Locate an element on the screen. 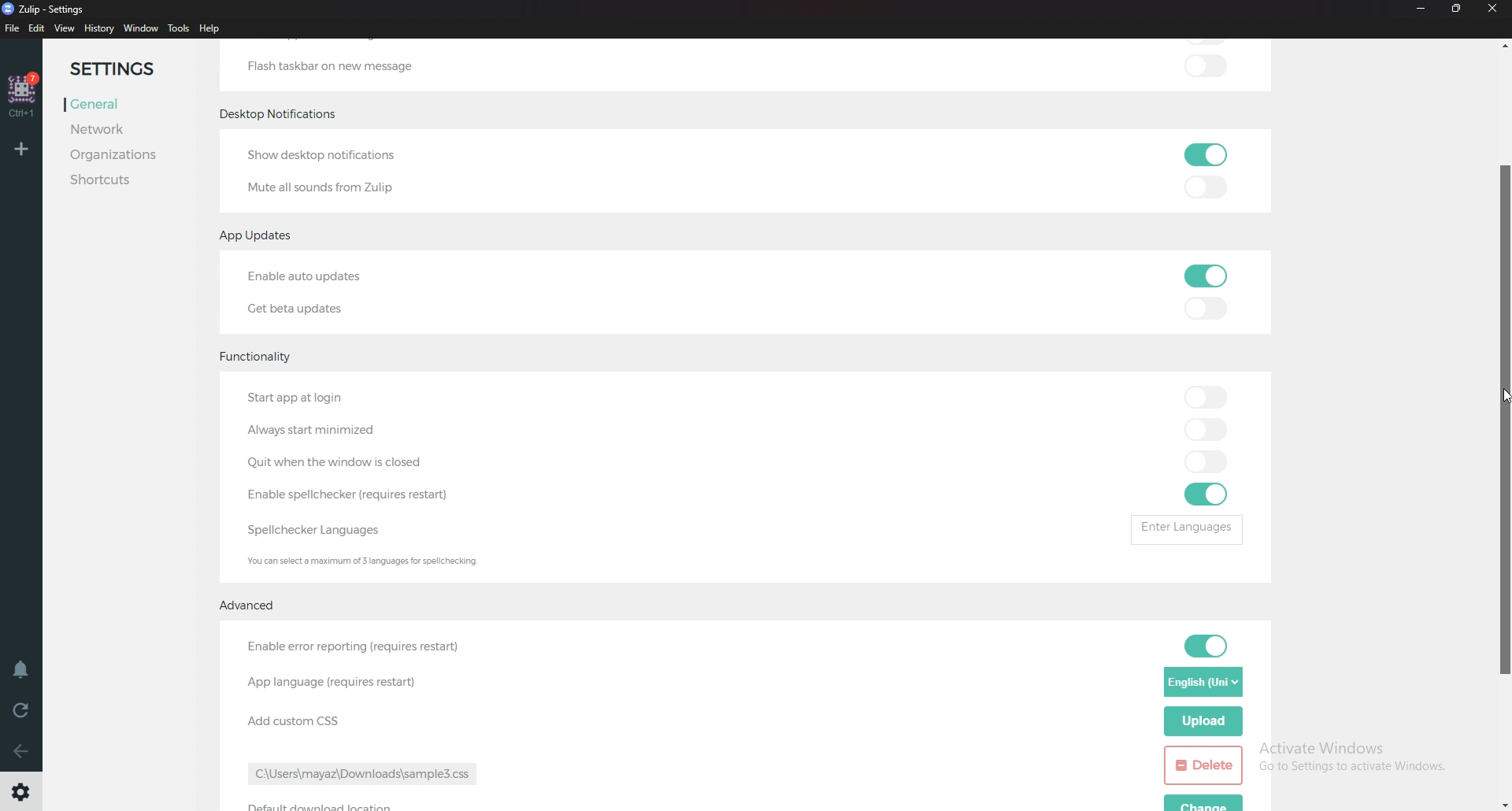 The height and width of the screenshot is (811, 1512). Help is located at coordinates (212, 28).